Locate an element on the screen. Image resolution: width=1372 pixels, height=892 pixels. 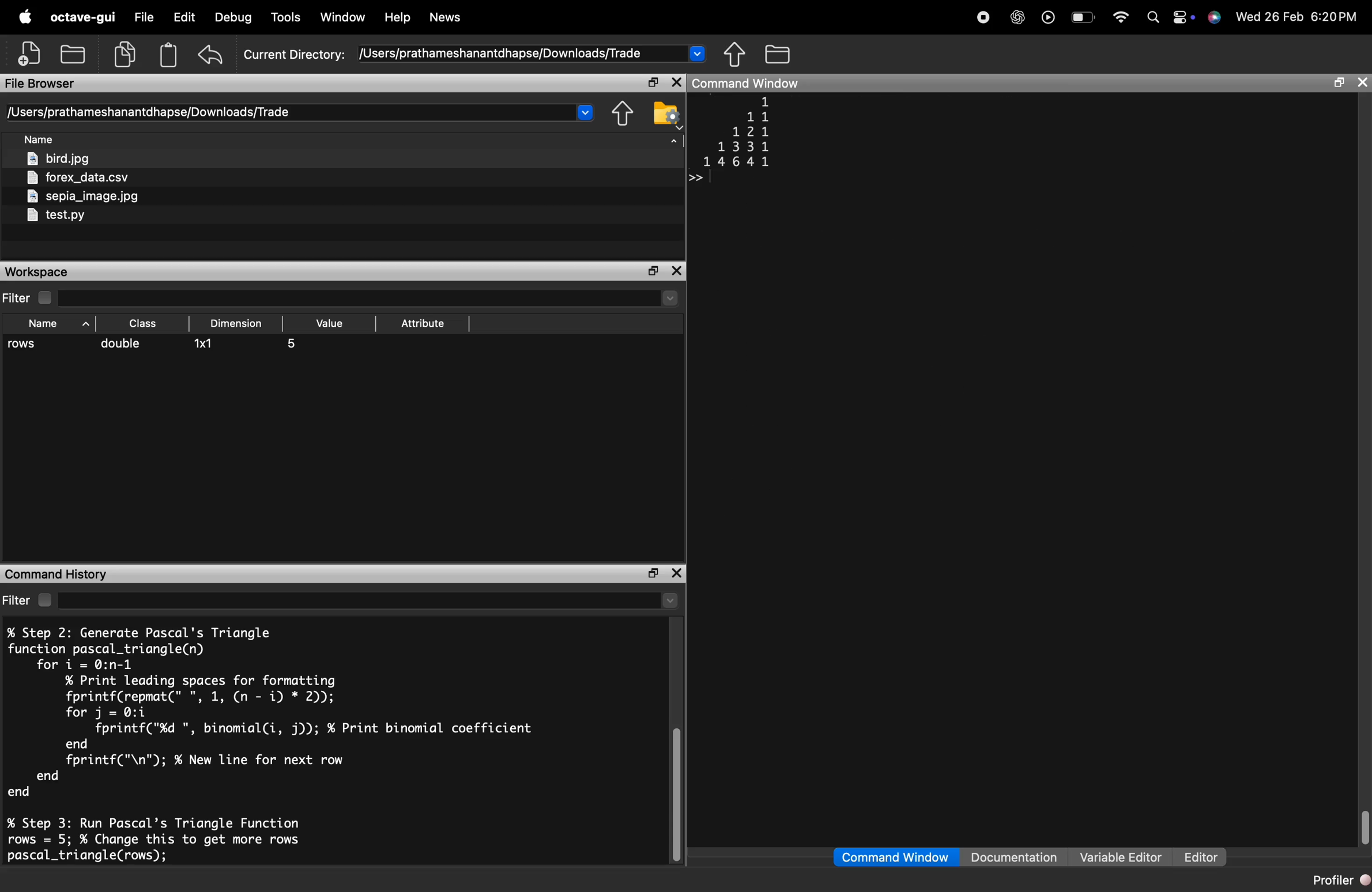
Folder is located at coordinates (779, 54).